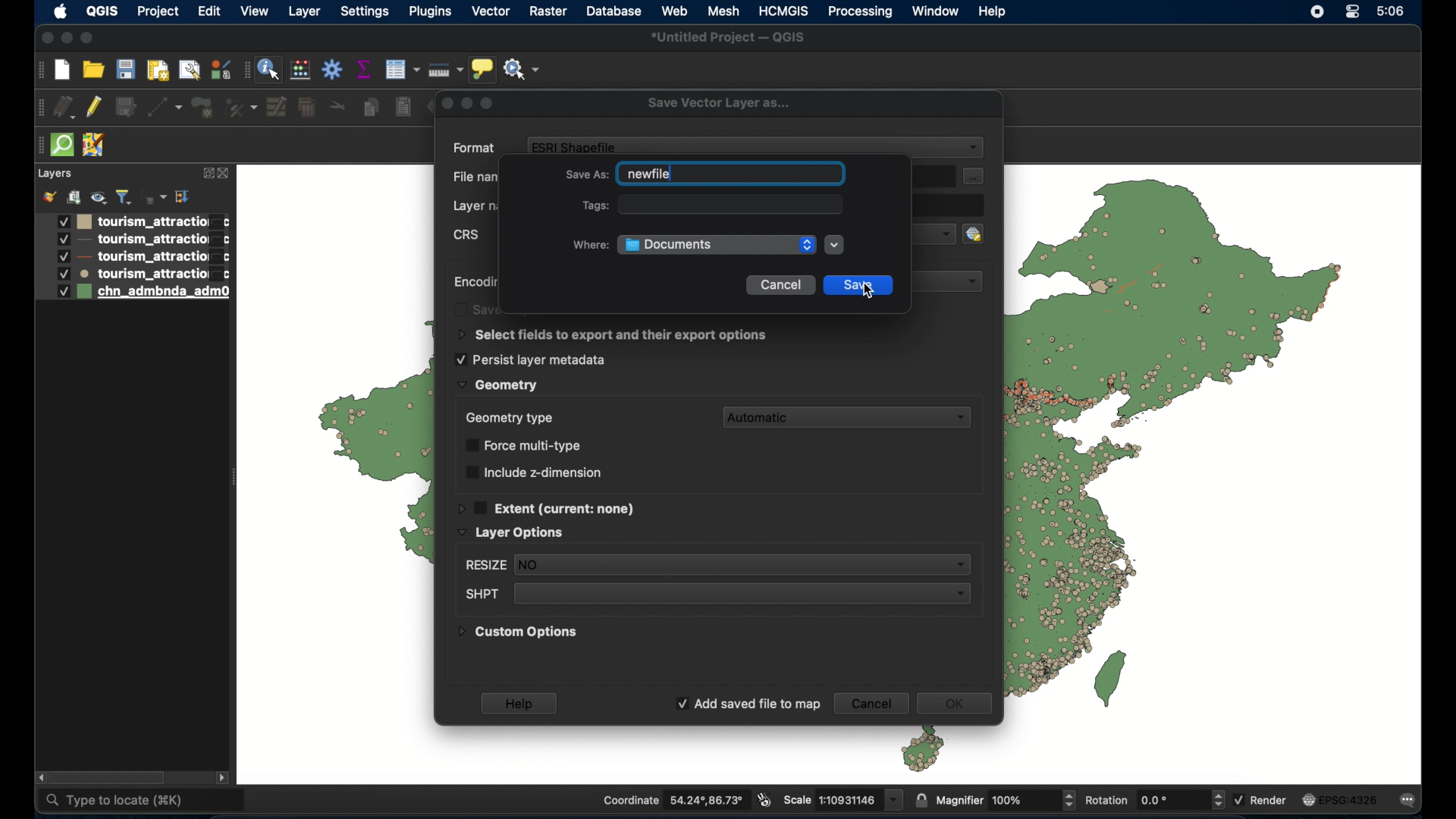  I want to click on layer name, so click(479, 207).